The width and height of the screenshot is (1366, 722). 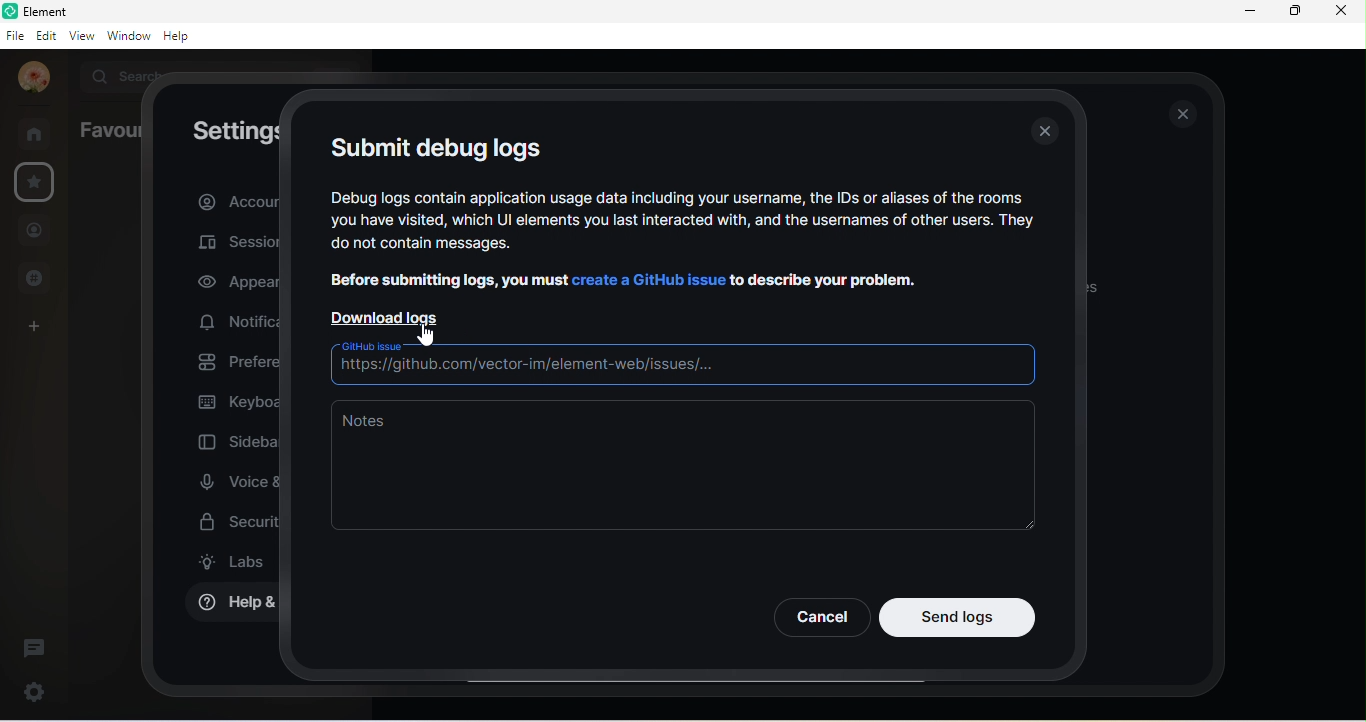 I want to click on submit debug logs, so click(x=436, y=145).